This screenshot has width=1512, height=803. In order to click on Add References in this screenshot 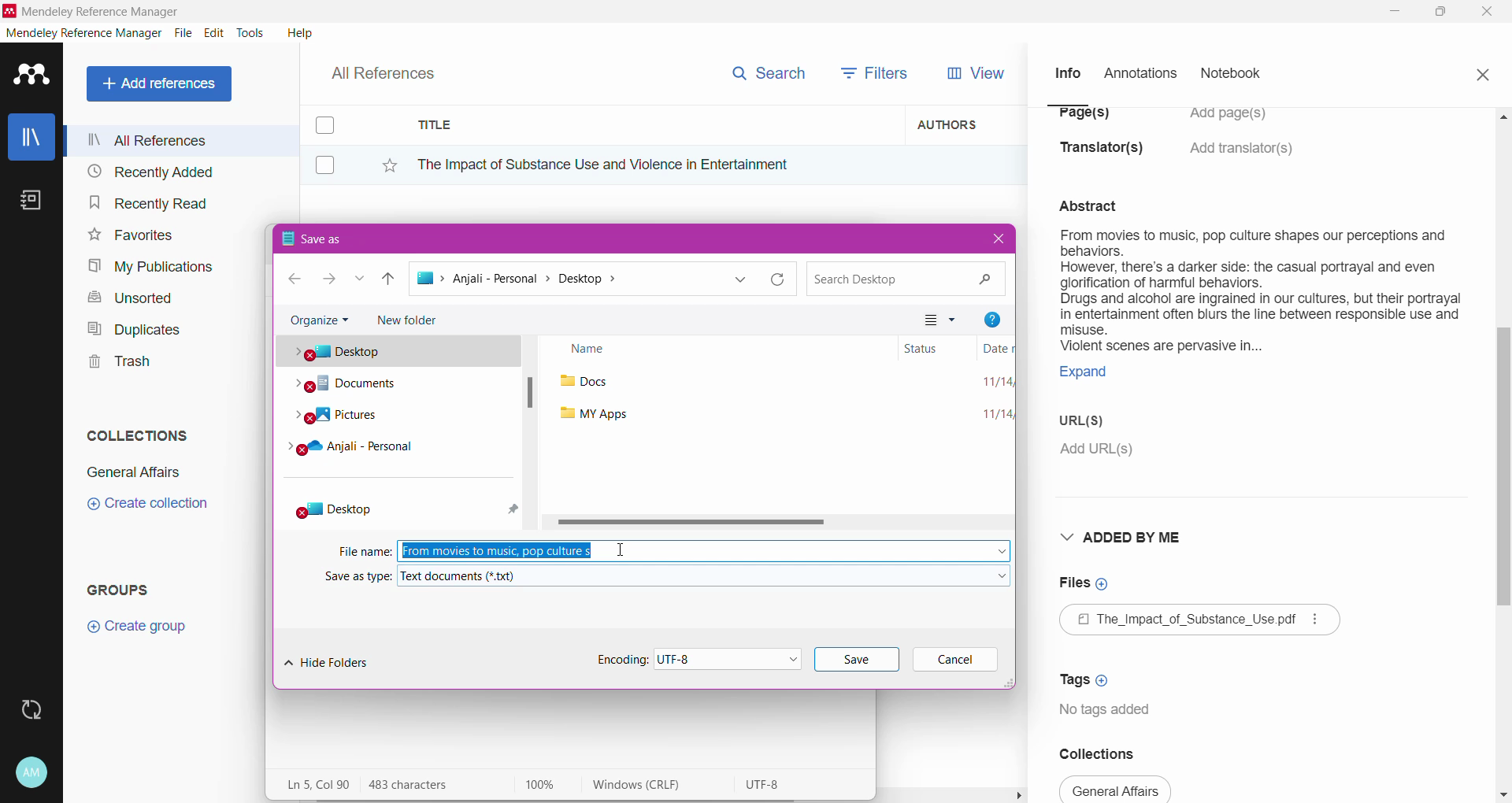, I will do `click(162, 83)`.